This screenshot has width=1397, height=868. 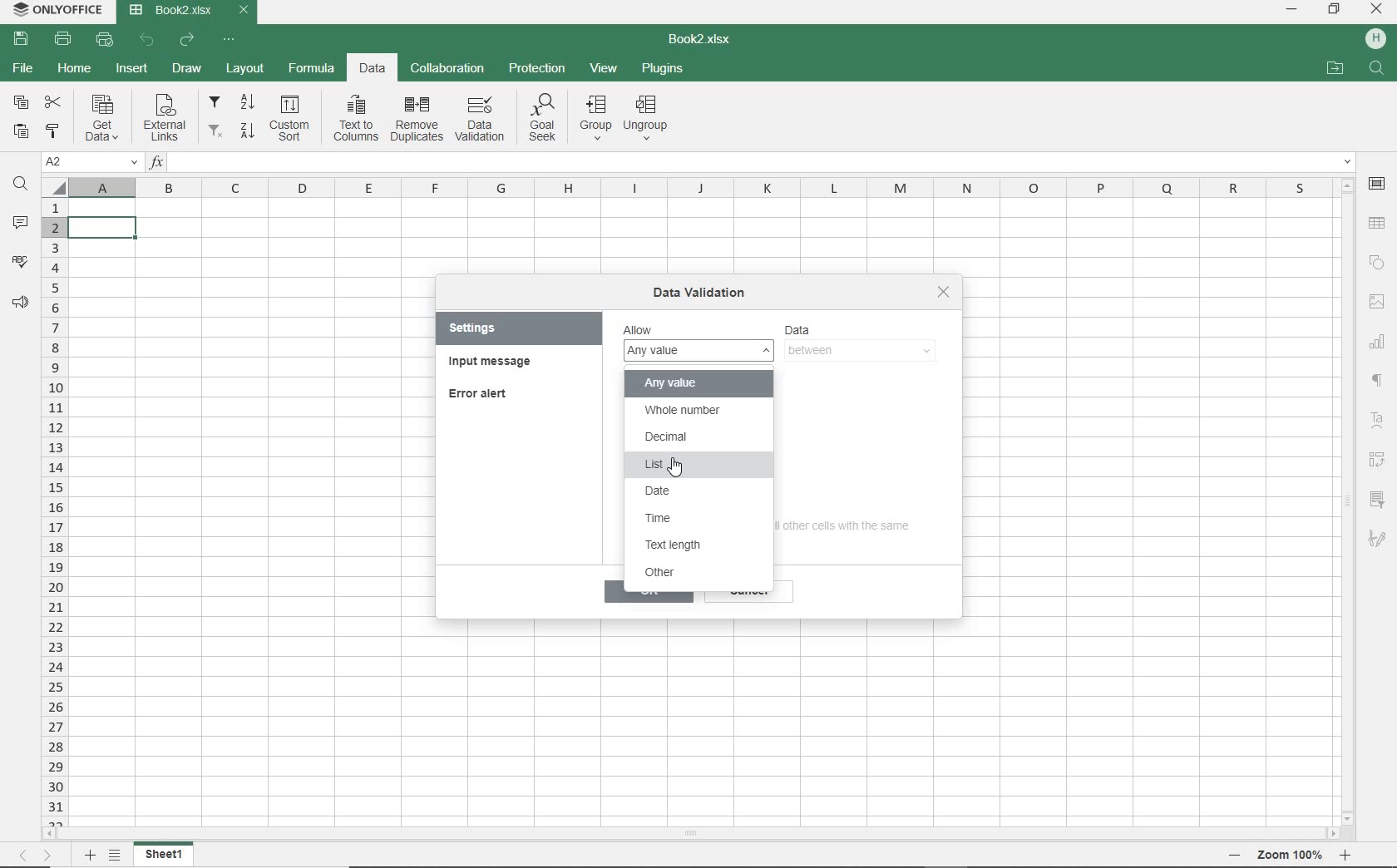 What do you see at coordinates (170, 11) in the screenshot?
I see `DOCUMENT Name` at bounding box center [170, 11].